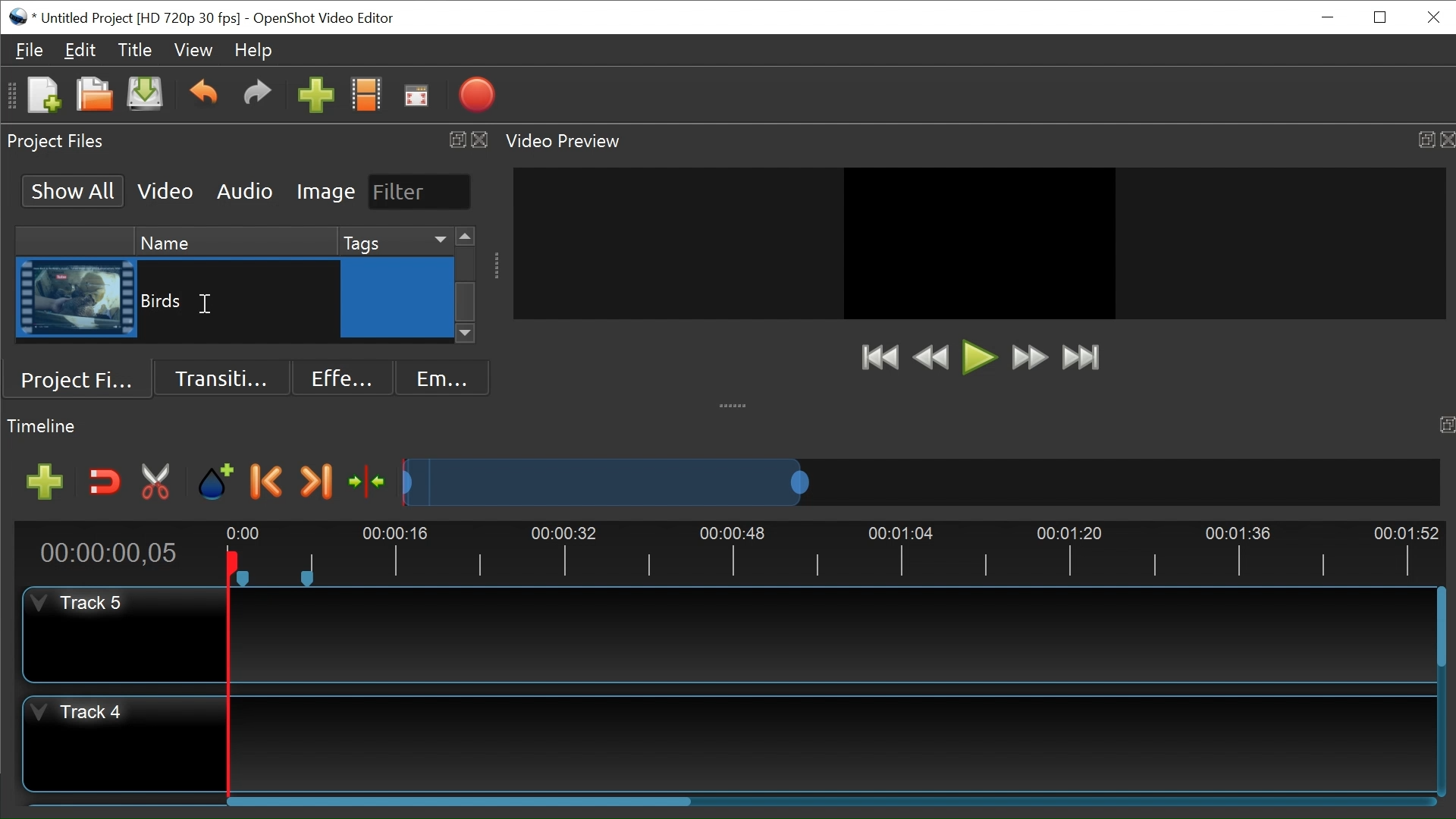 The width and height of the screenshot is (1456, 819). What do you see at coordinates (194, 50) in the screenshot?
I see `View` at bounding box center [194, 50].